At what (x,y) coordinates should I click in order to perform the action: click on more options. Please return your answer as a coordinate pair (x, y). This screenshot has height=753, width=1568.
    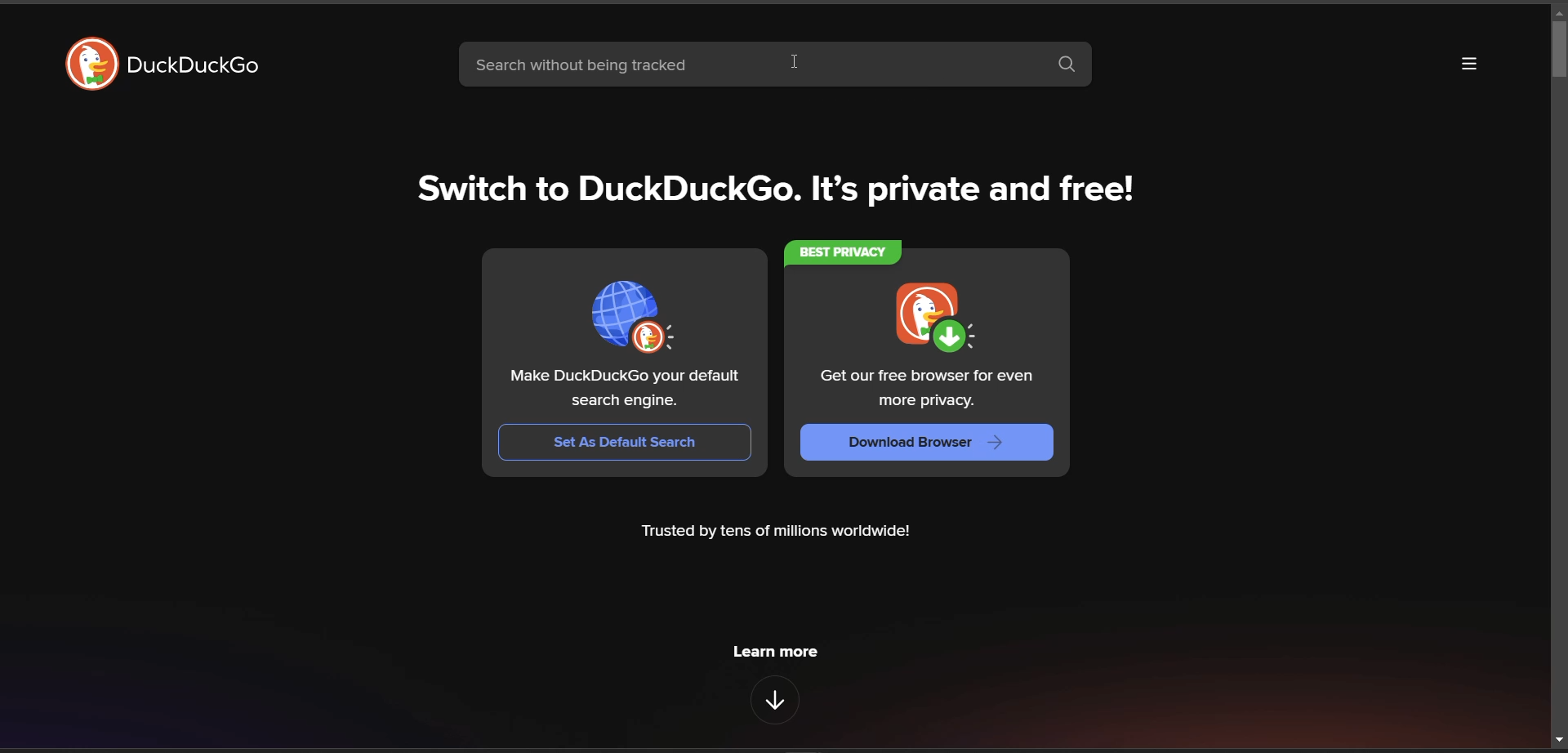
    Looking at the image, I should click on (1470, 67).